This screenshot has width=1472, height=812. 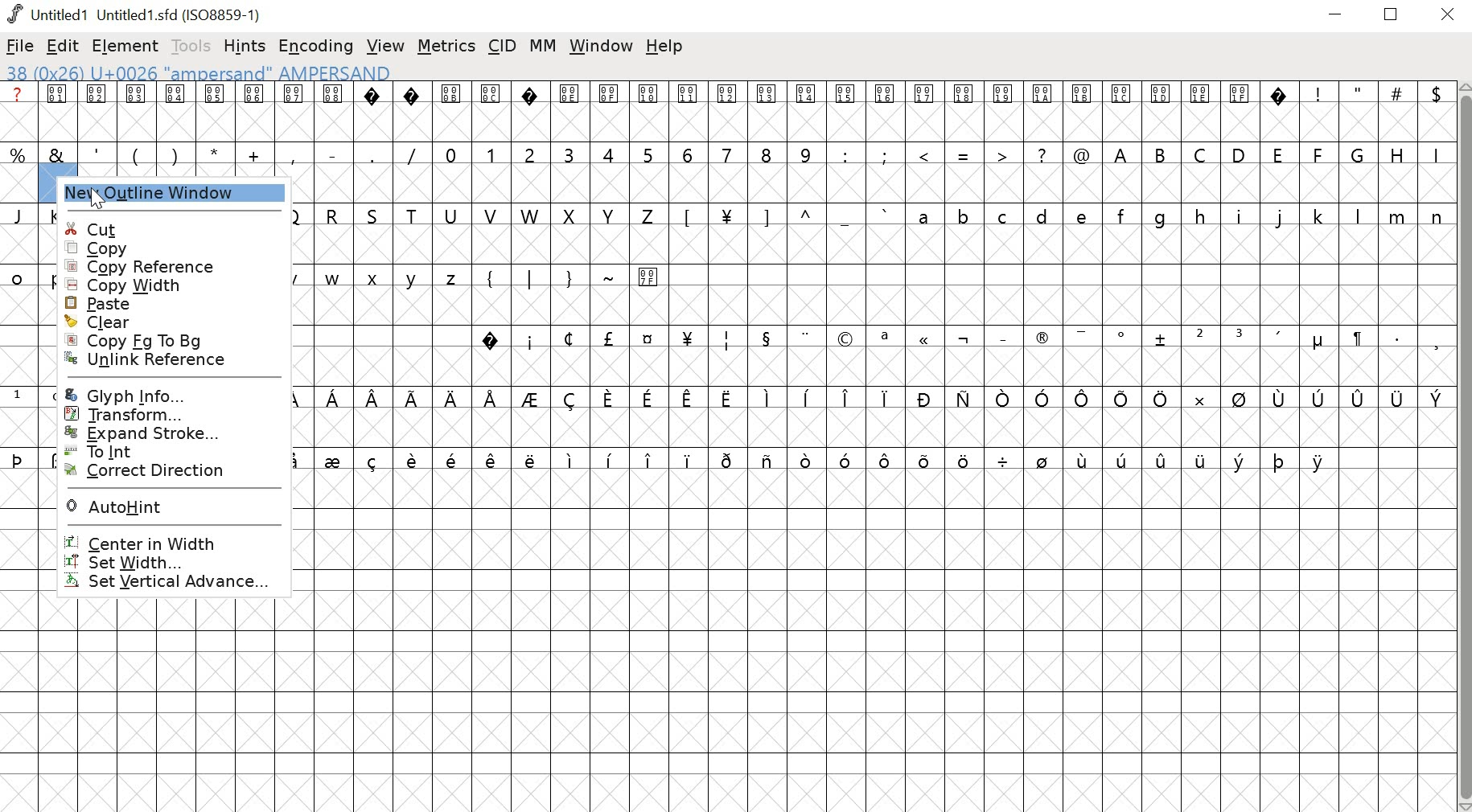 What do you see at coordinates (1321, 461) in the screenshot?
I see `symbol` at bounding box center [1321, 461].